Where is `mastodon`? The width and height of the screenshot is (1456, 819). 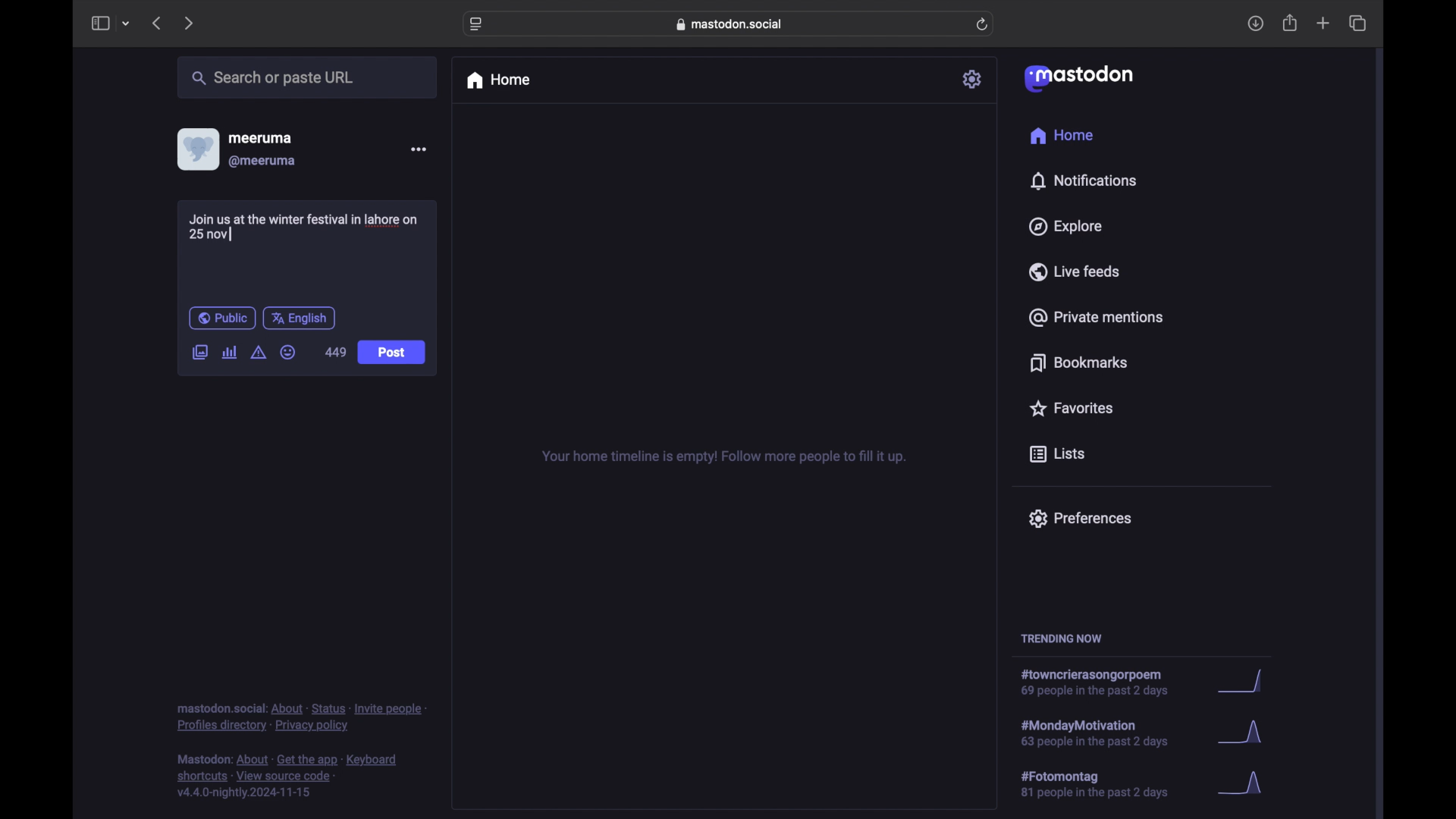
mastodon is located at coordinates (1077, 77).